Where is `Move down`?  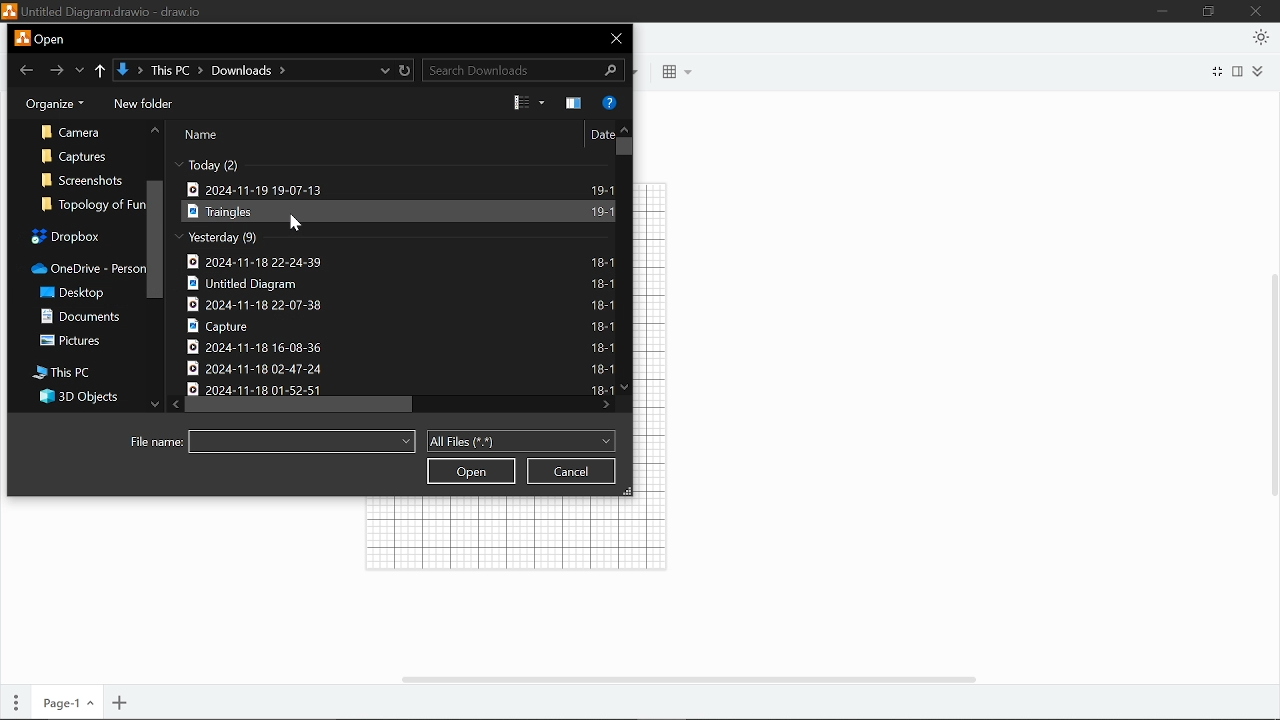
Move down is located at coordinates (151, 405).